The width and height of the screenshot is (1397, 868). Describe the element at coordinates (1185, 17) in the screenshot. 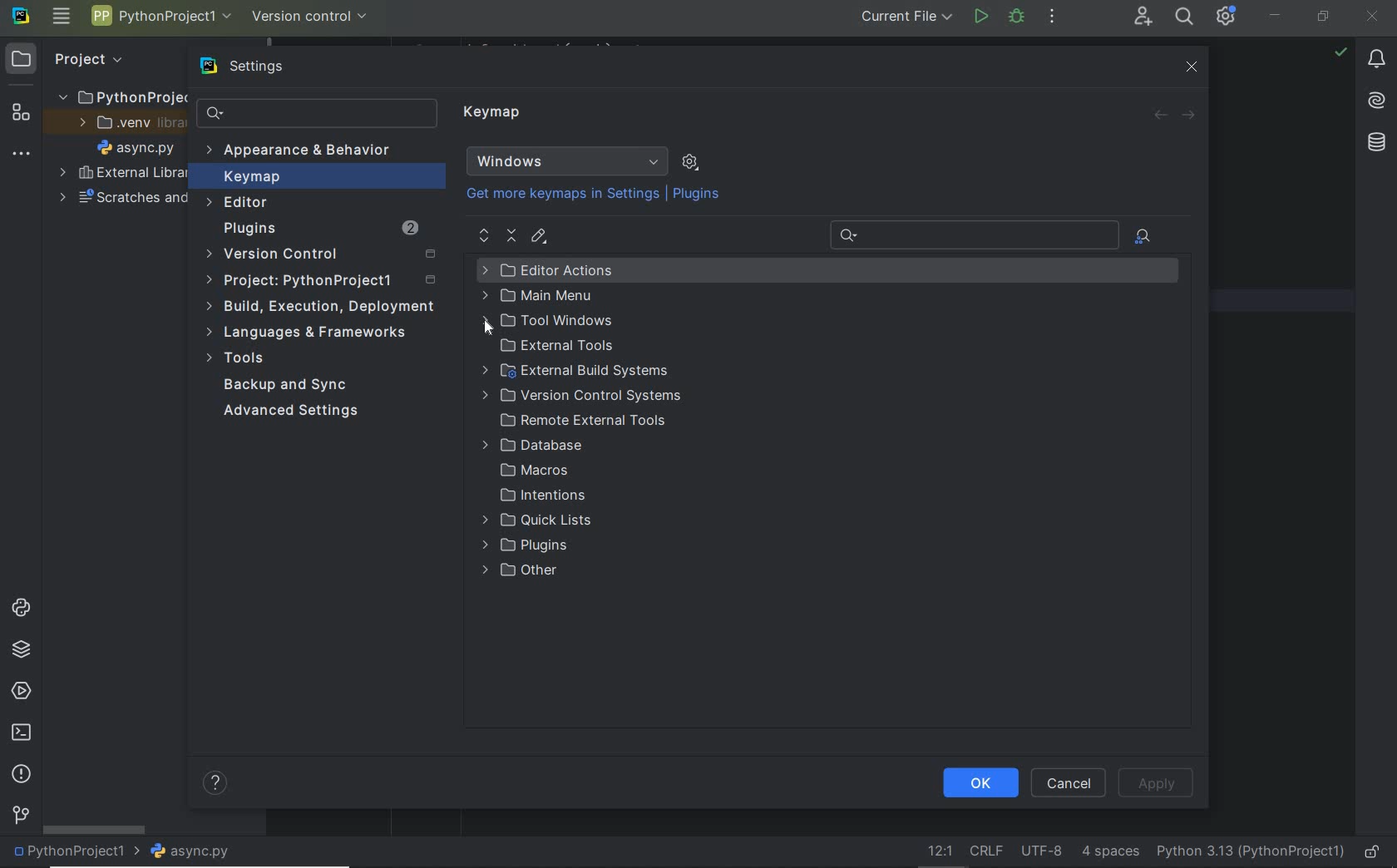

I see `search everywhere` at that location.